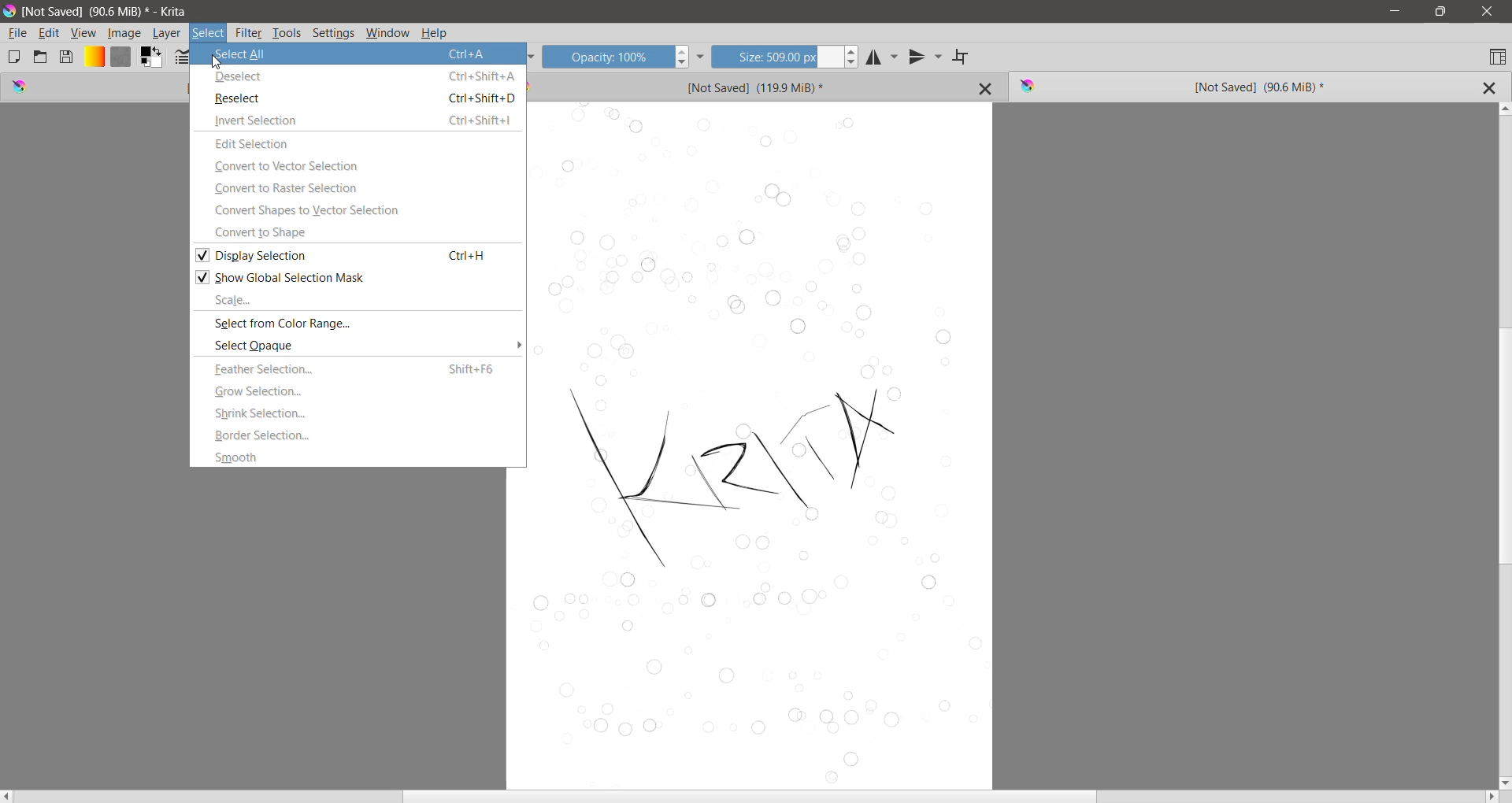  I want to click on Size input , so click(776, 56).